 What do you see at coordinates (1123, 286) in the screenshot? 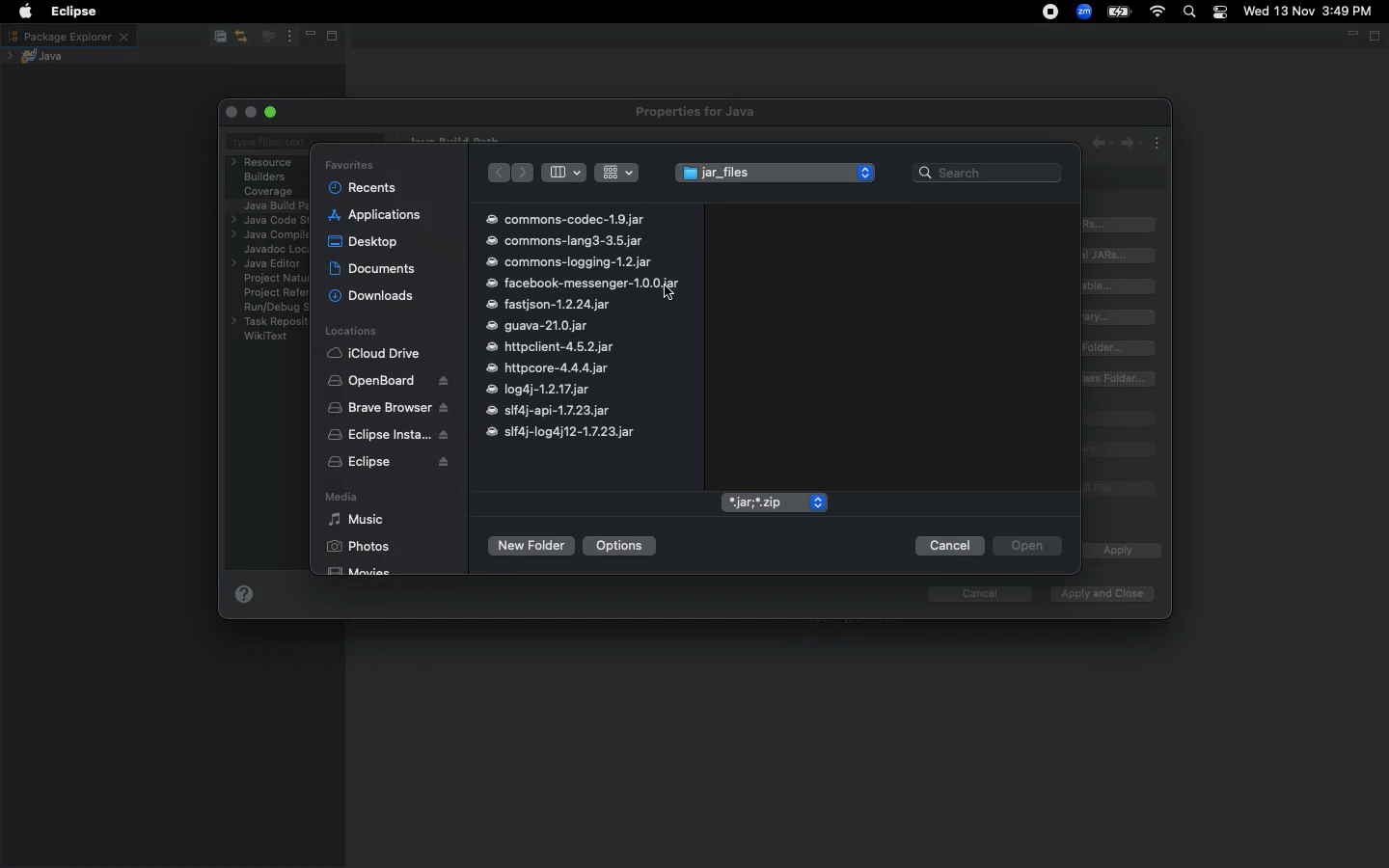
I see `Add variable` at bounding box center [1123, 286].